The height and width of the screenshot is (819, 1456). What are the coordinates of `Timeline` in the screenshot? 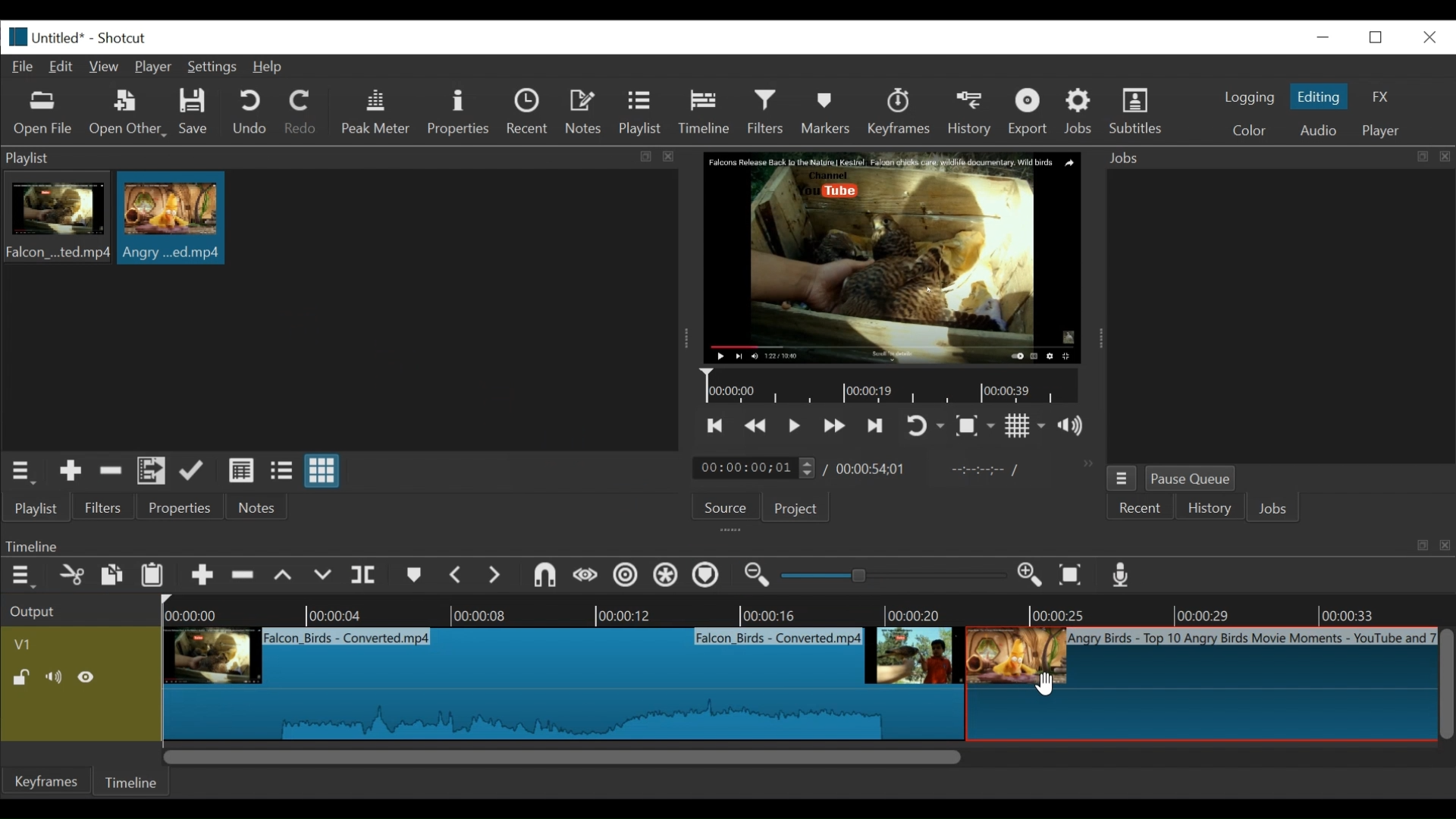 It's located at (894, 387).